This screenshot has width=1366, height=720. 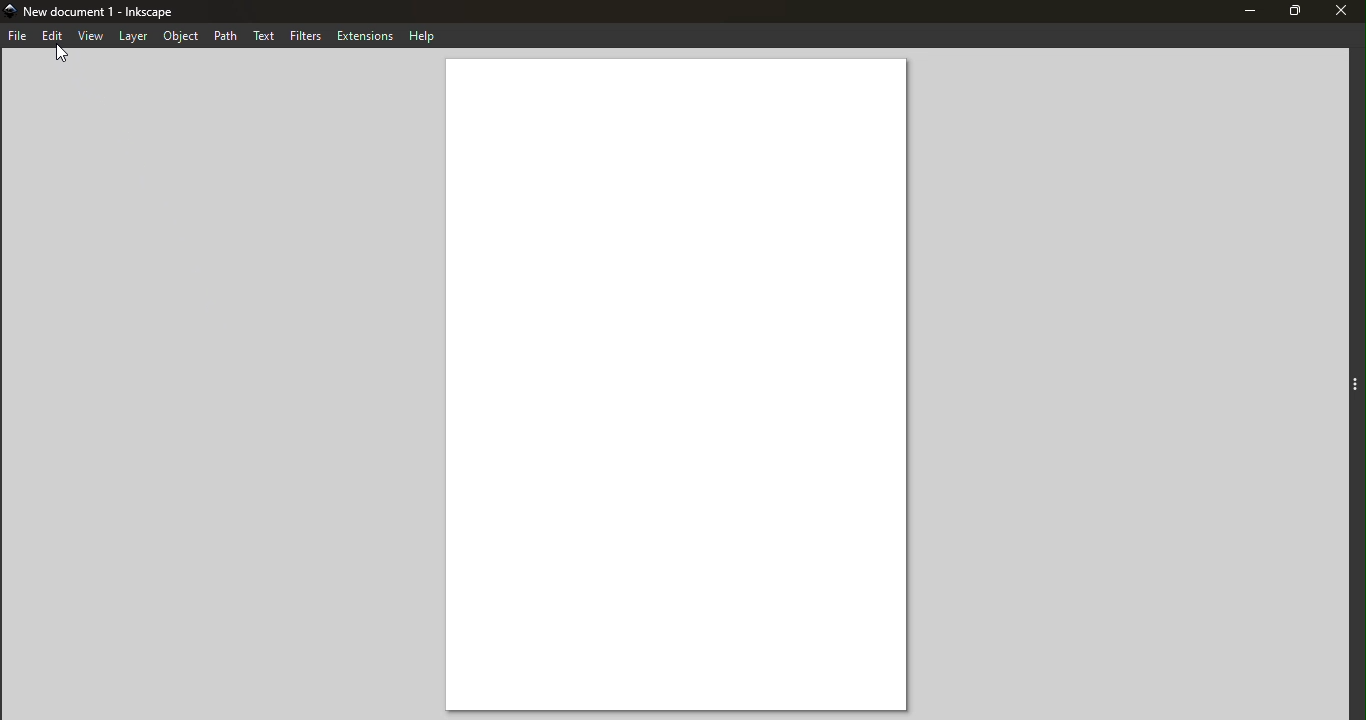 I want to click on Cursor, so click(x=66, y=54).